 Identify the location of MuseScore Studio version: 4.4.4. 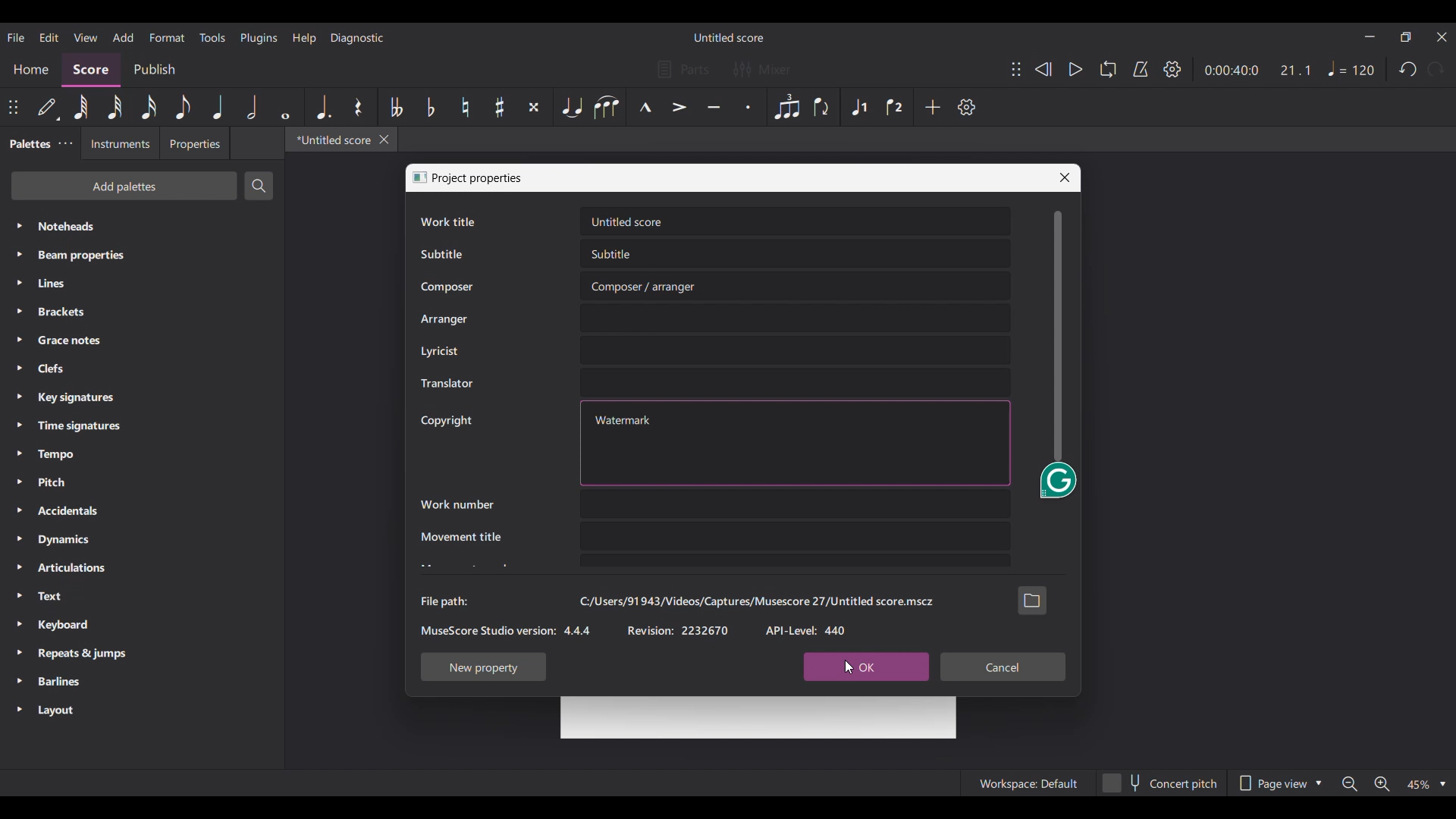
(506, 630).